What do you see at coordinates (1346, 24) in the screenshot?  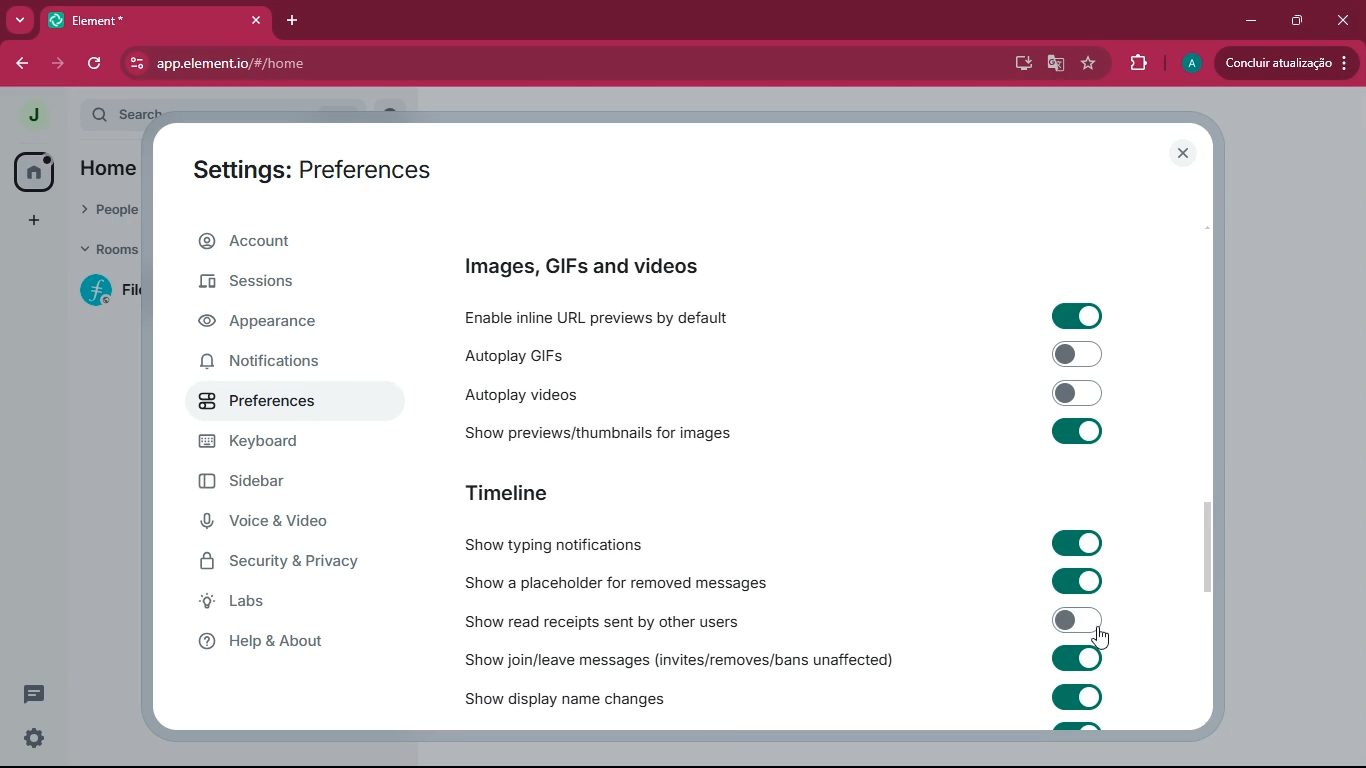 I see `close` at bounding box center [1346, 24].